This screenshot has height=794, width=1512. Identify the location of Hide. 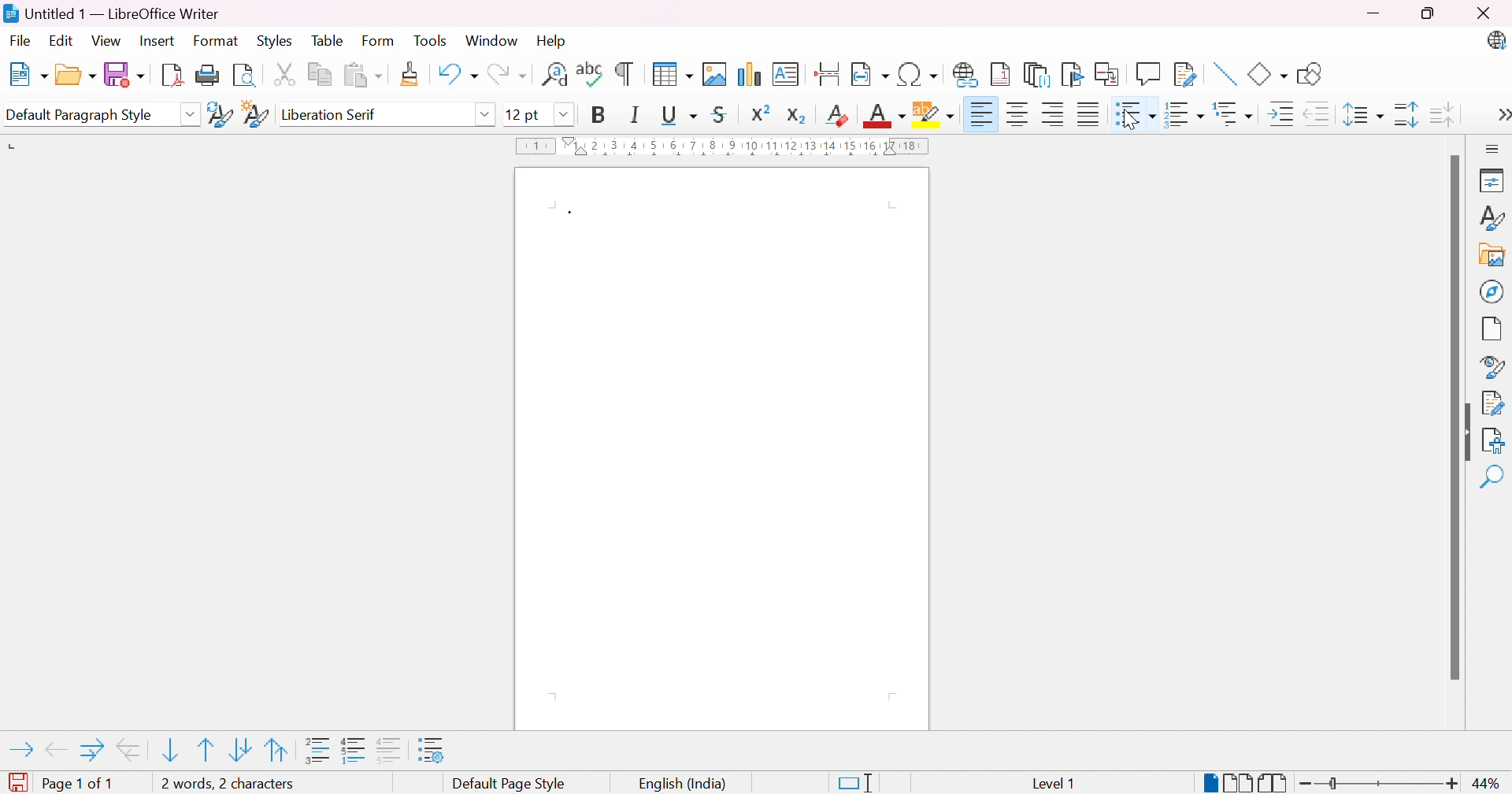
(1466, 442).